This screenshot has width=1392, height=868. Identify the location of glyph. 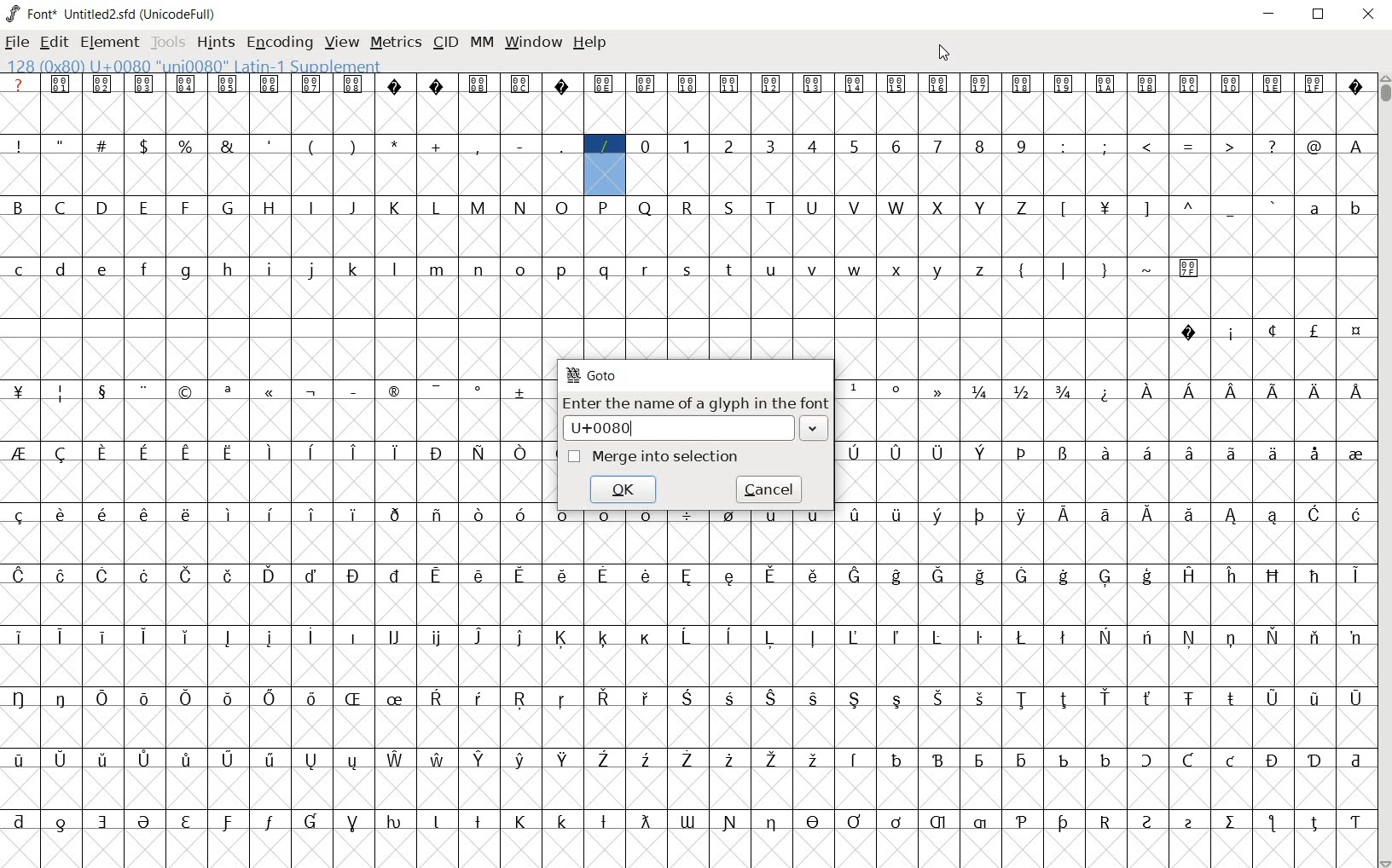
(352, 146).